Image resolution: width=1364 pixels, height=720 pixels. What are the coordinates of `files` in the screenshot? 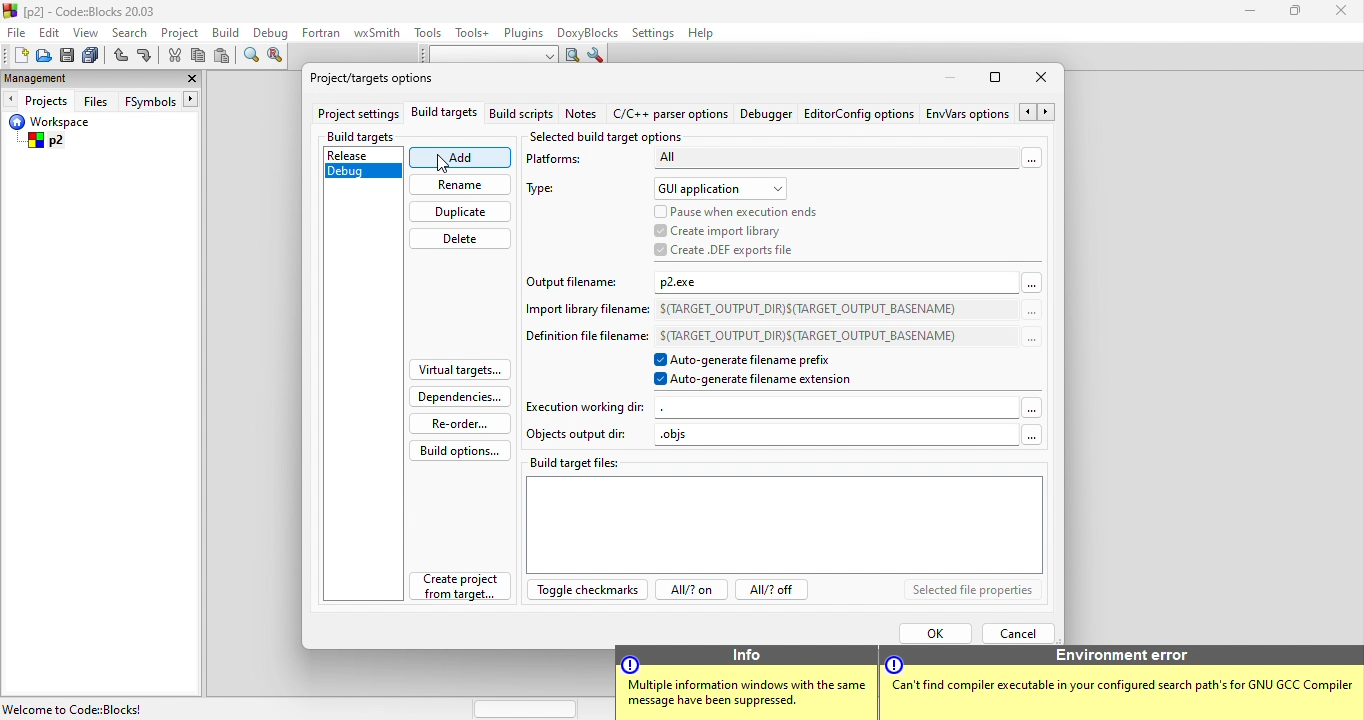 It's located at (99, 100).